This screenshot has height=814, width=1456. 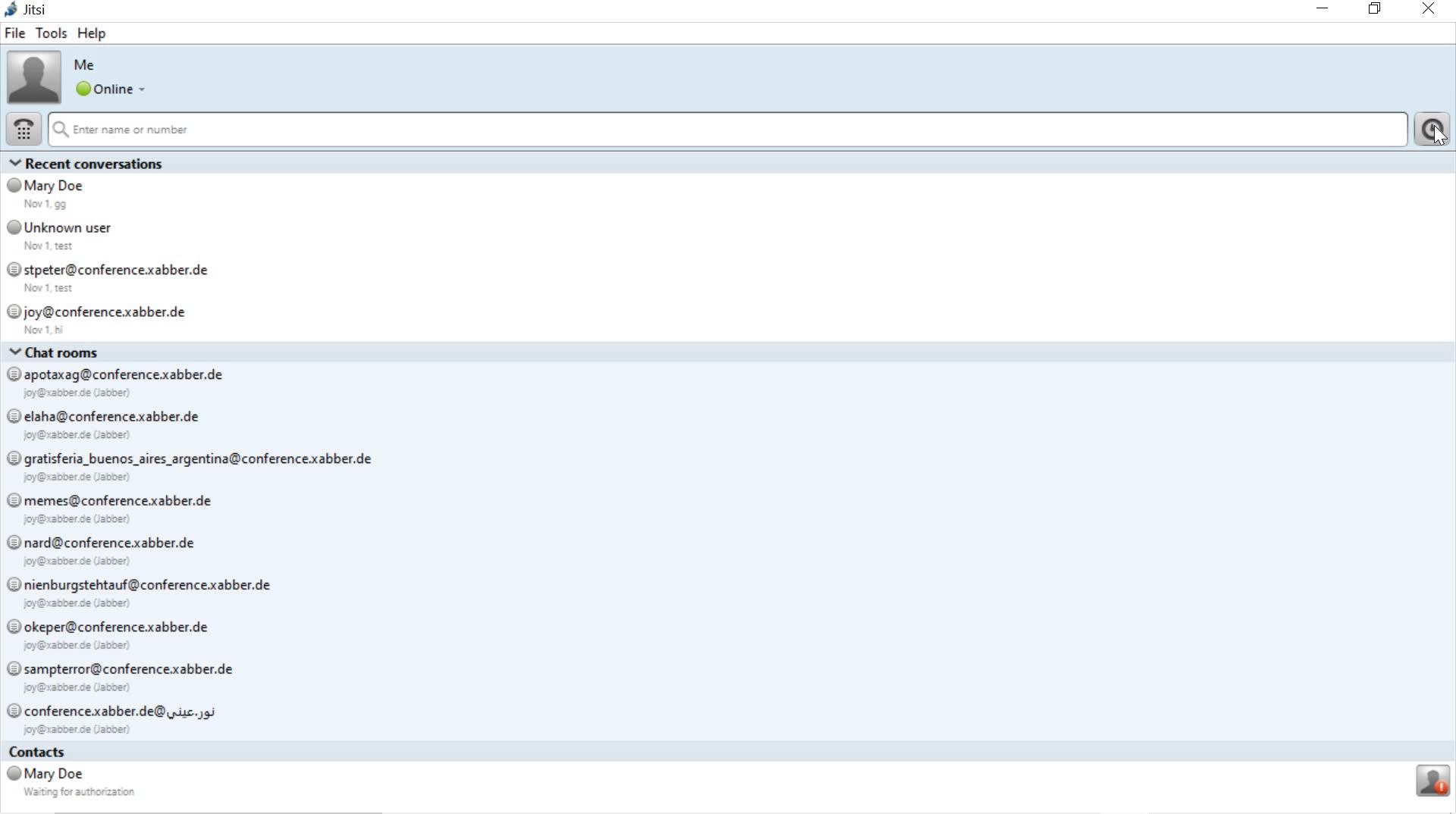 What do you see at coordinates (86, 65) in the screenshot?
I see `account name` at bounding box center [86, 65].